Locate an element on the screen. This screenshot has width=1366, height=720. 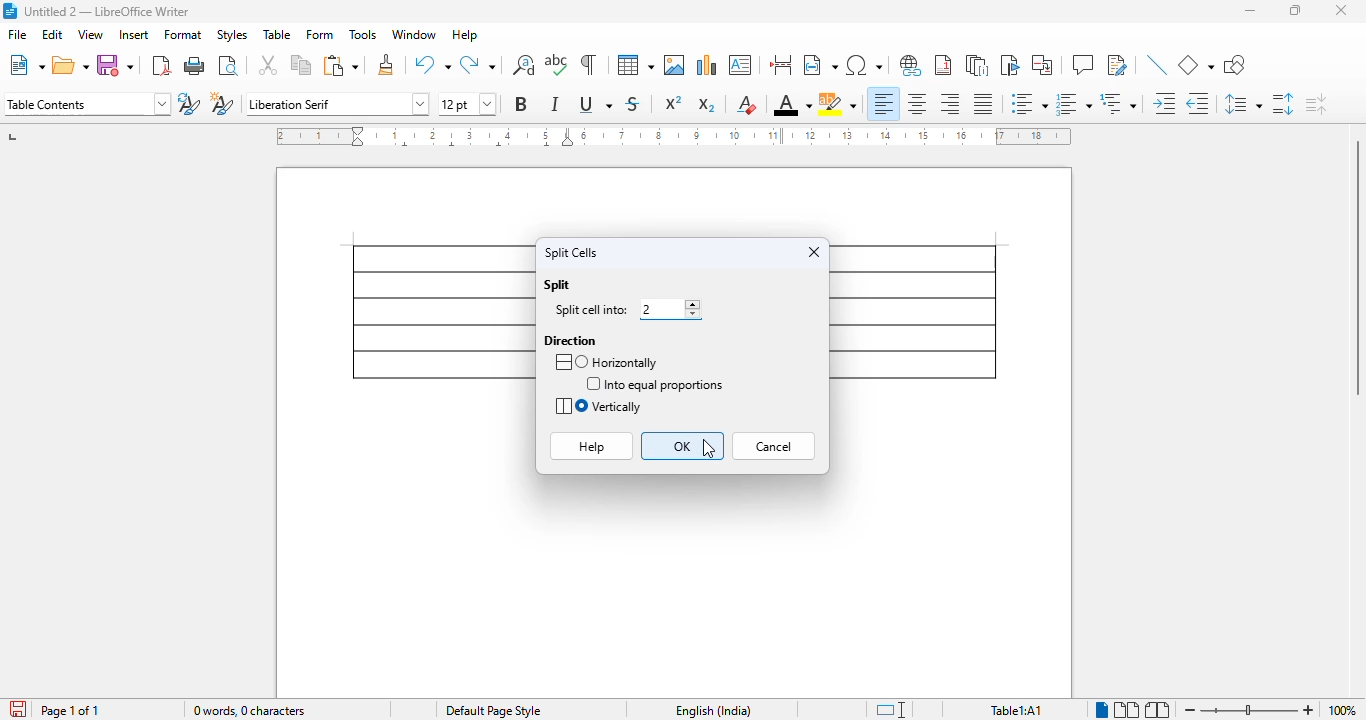
export directly as PDF is located at coordinates (161, 66).